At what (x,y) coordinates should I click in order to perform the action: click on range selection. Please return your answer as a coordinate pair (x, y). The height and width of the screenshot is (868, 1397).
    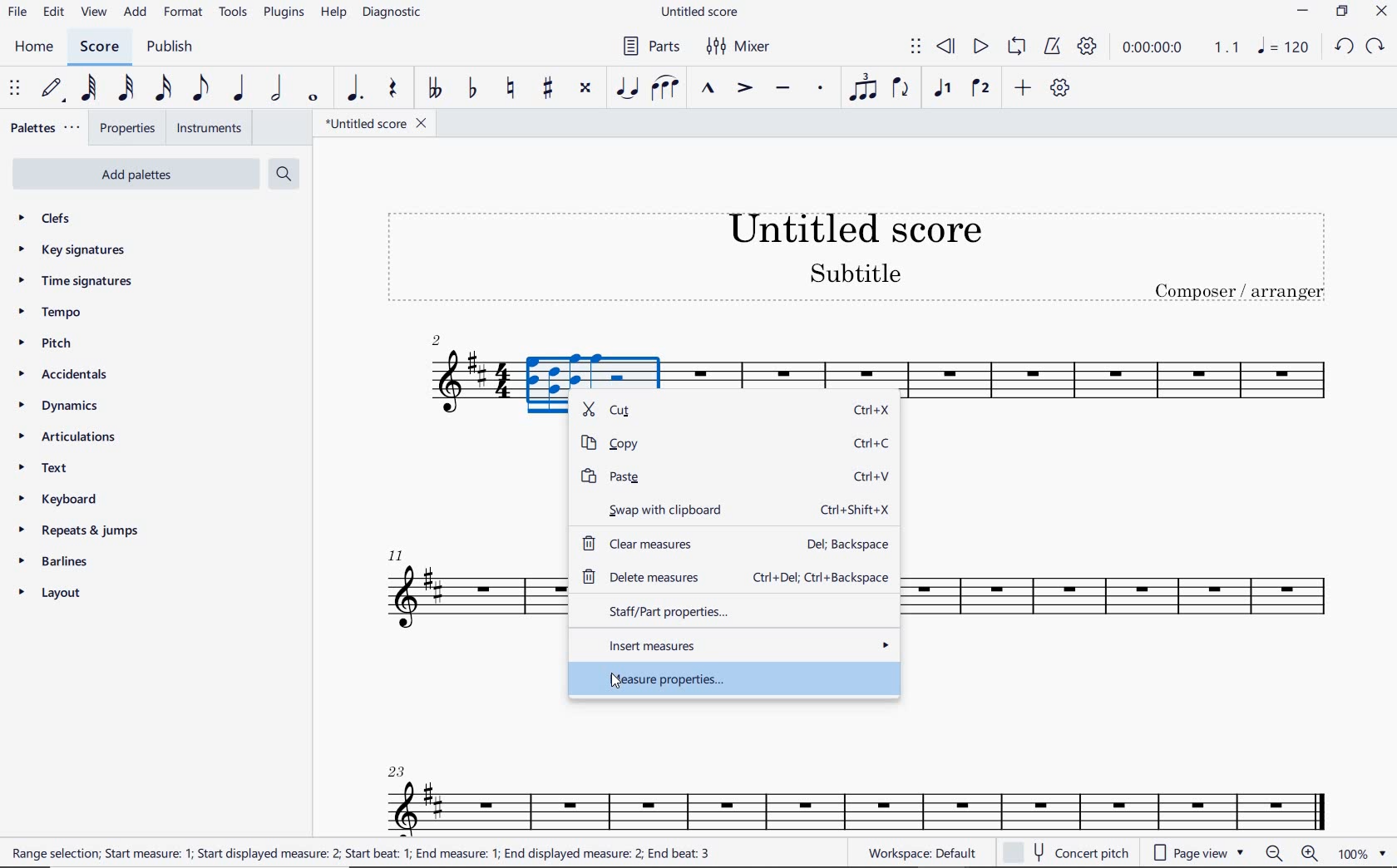
    Looking at the image, I should click on (363, 854).